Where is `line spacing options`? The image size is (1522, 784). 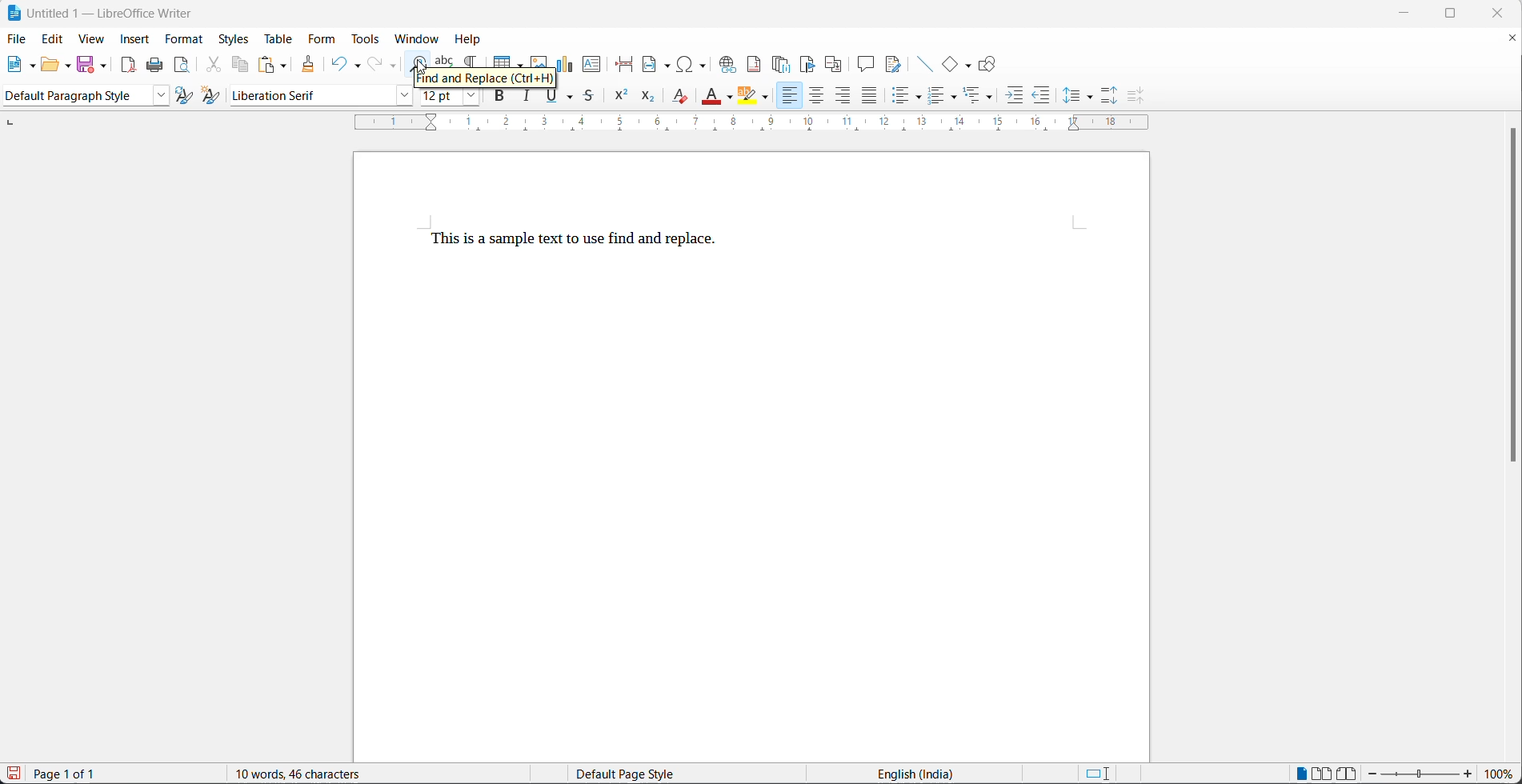 line spacing options is located at coordinates (1071, 96).